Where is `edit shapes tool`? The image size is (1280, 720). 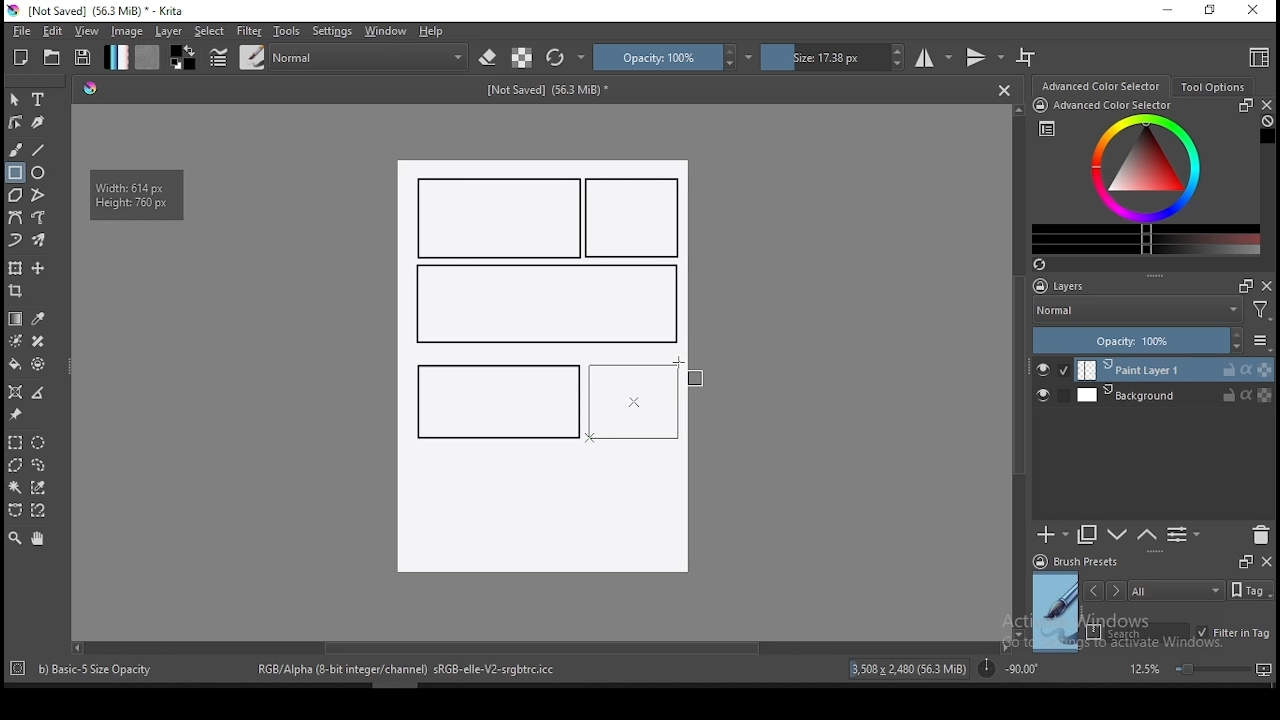
edit shapes tool is located at coordinates (15, 121).